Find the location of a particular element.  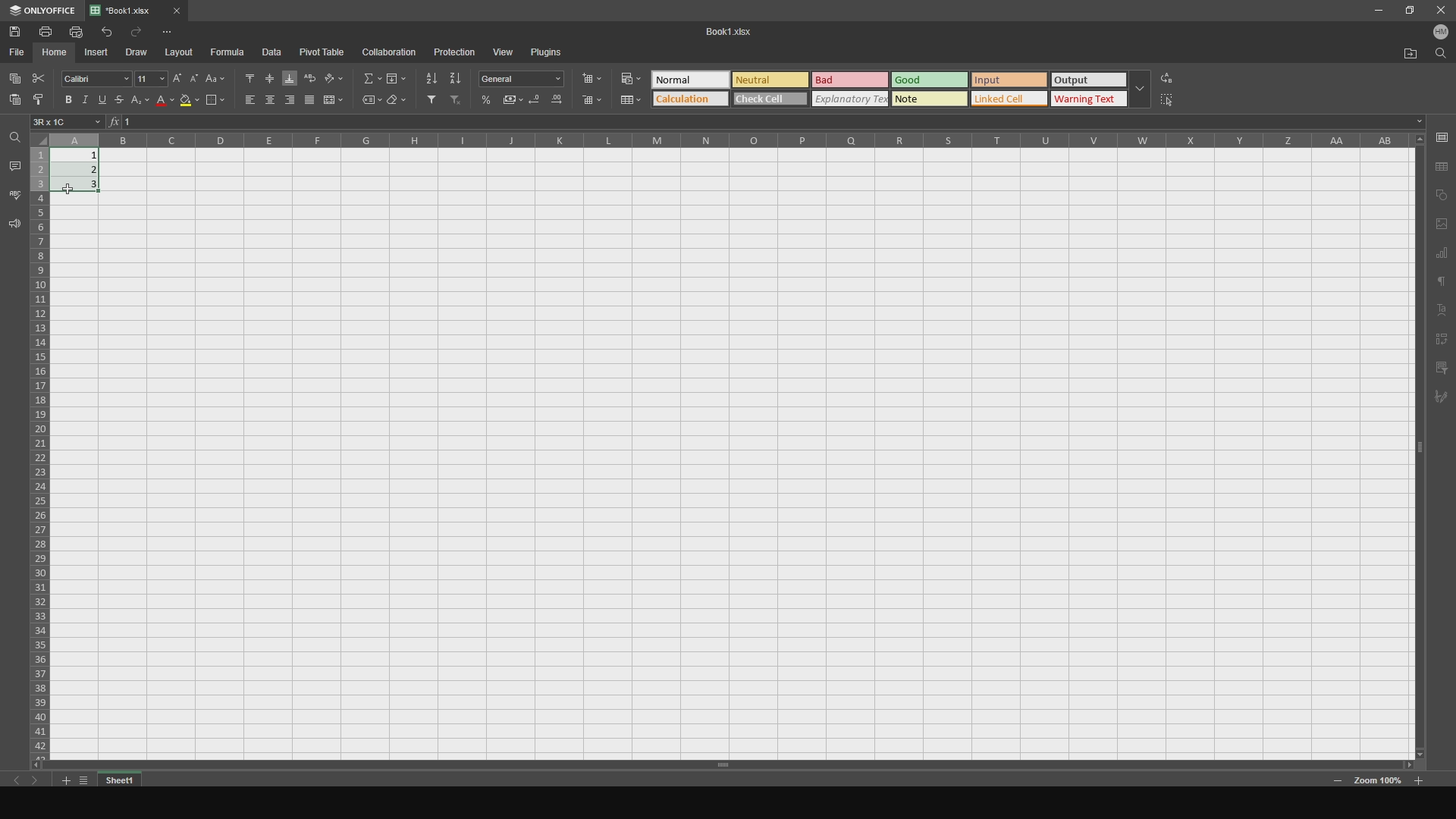

pivot table is located at coordinates (324, 52).